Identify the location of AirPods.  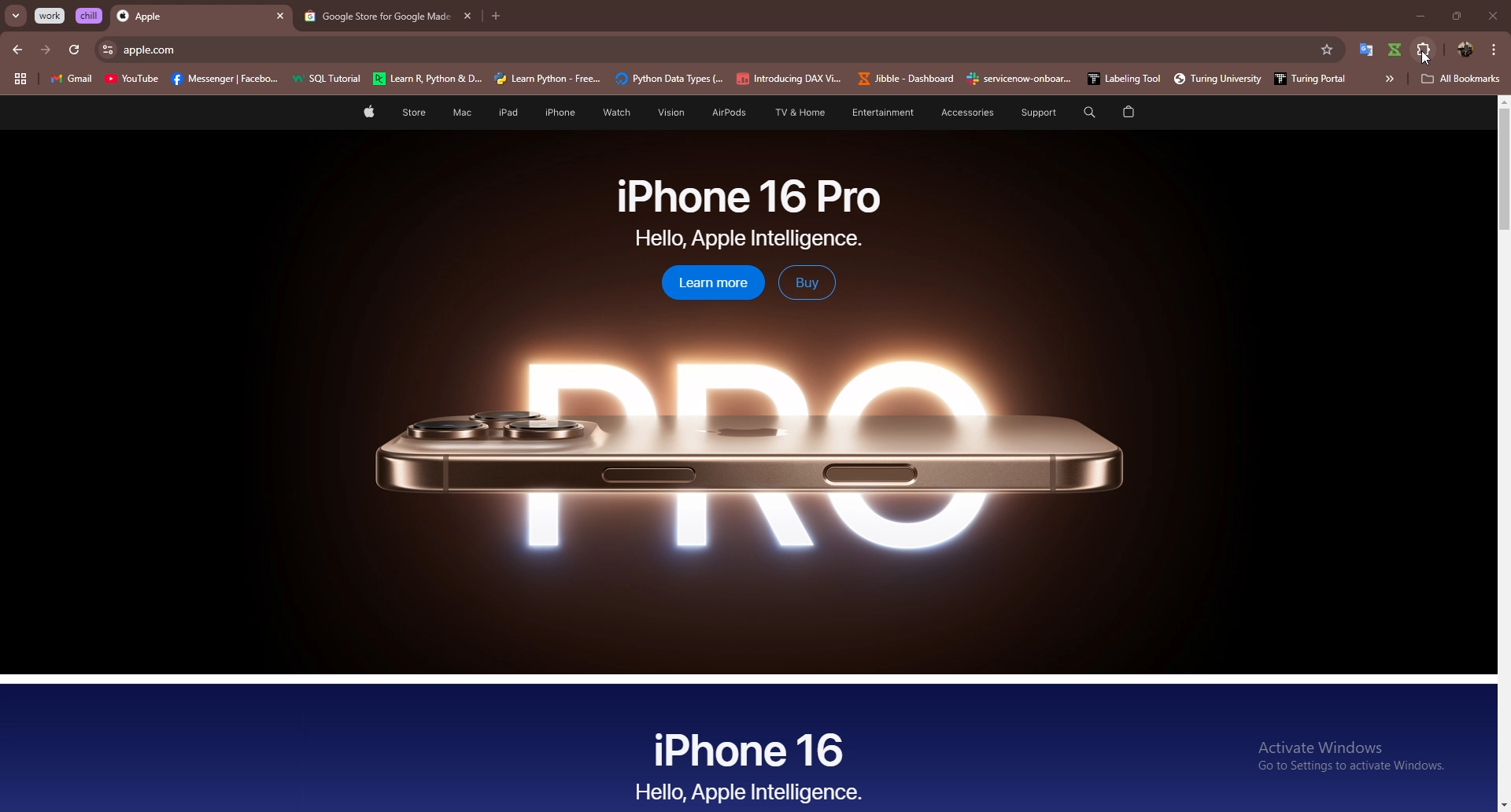
(723, 114).